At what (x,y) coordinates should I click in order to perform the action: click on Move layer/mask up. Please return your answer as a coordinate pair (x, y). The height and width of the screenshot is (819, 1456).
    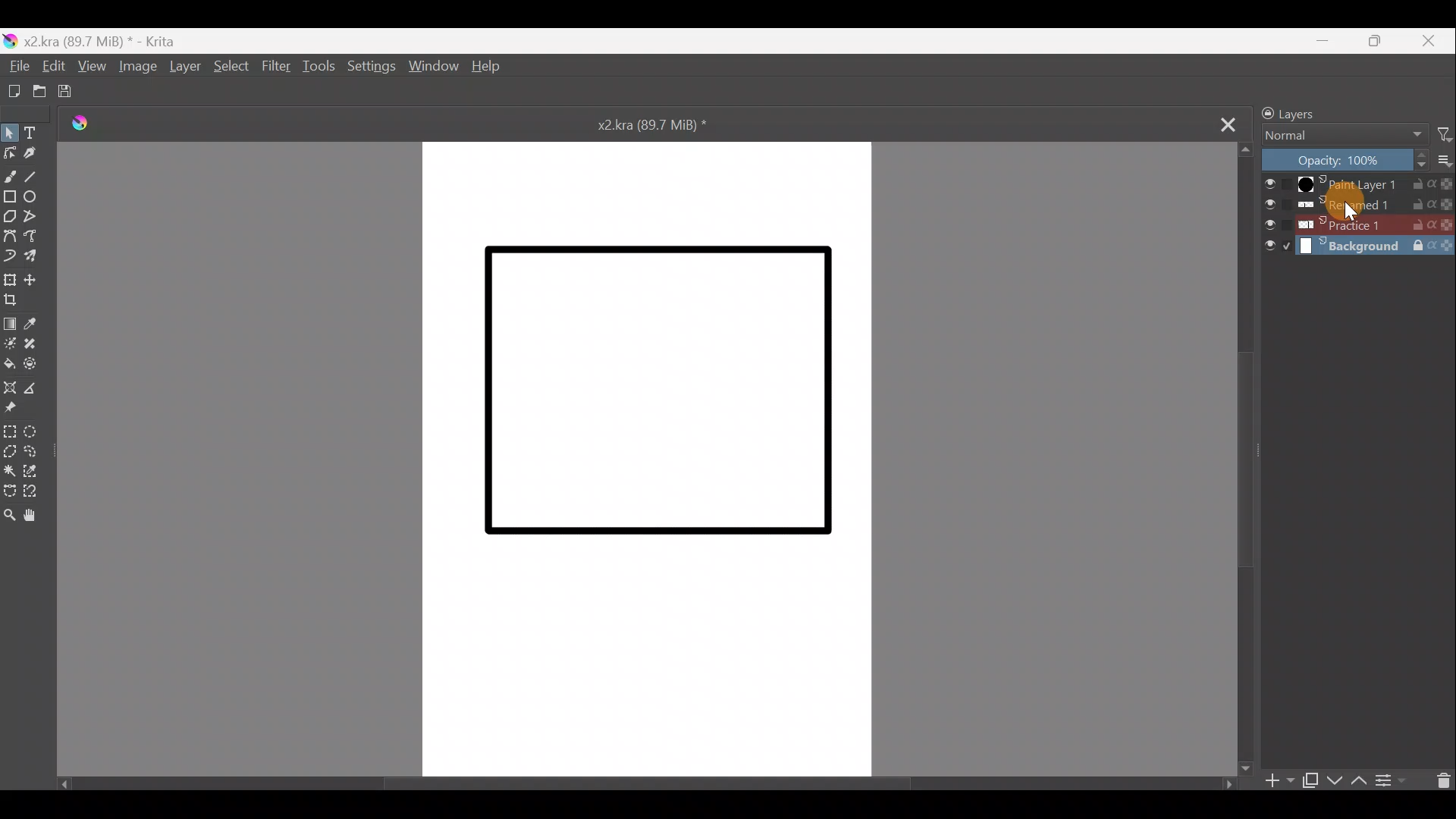
    Looking at the image, I should click on (1360, 780).